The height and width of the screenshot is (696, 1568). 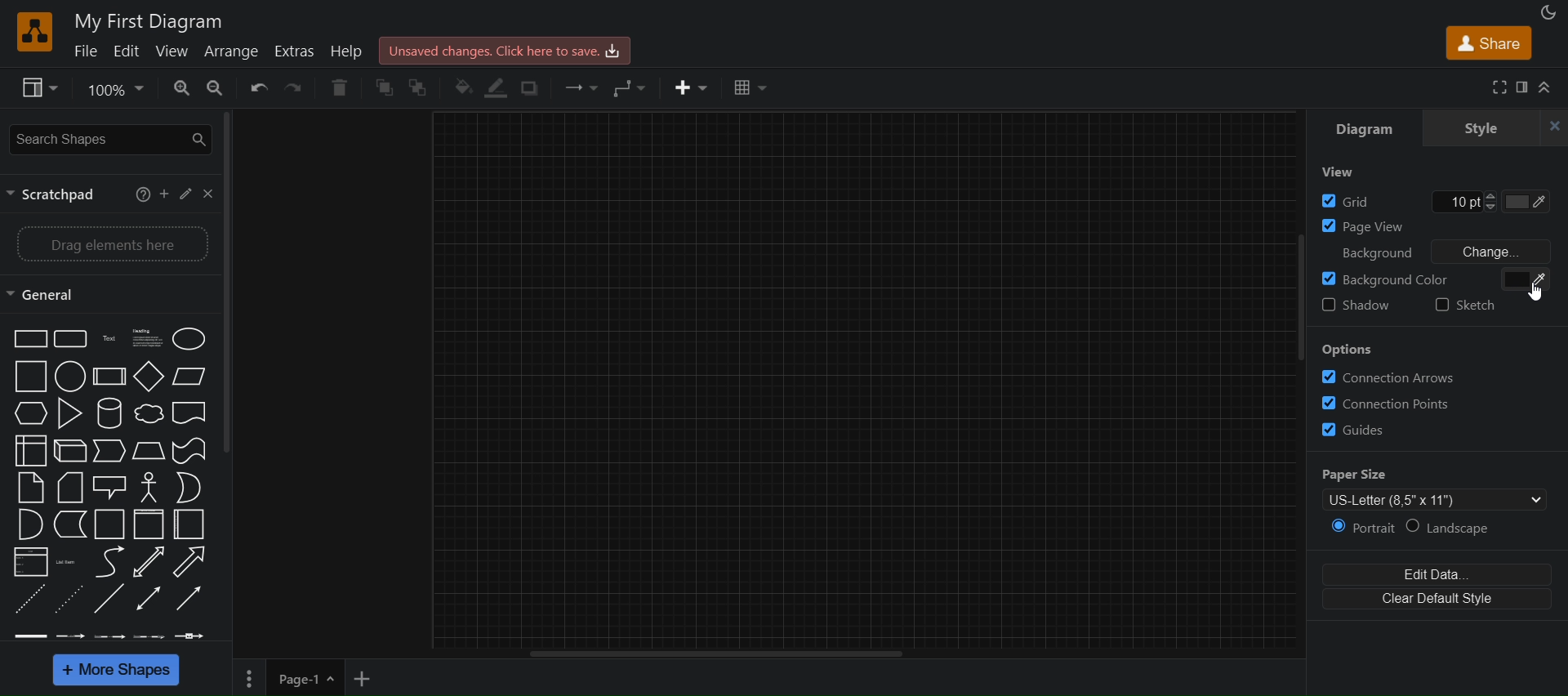 What do you see at coordinates (1498, 87) in the screenshot?
I see `fullscreen` at bounding box center [1498, 87].